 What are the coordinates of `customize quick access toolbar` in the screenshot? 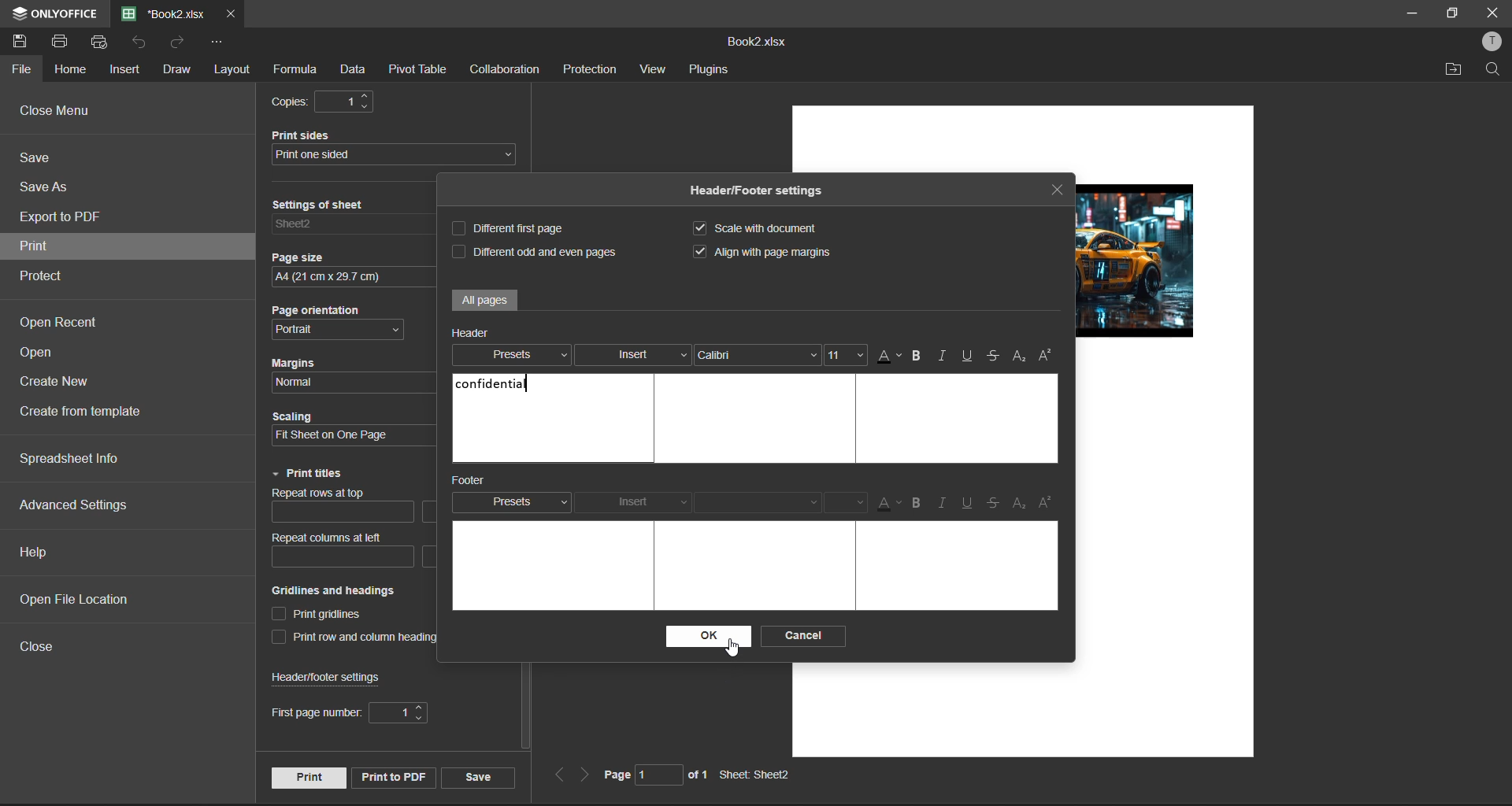 It's located at (223, 46).